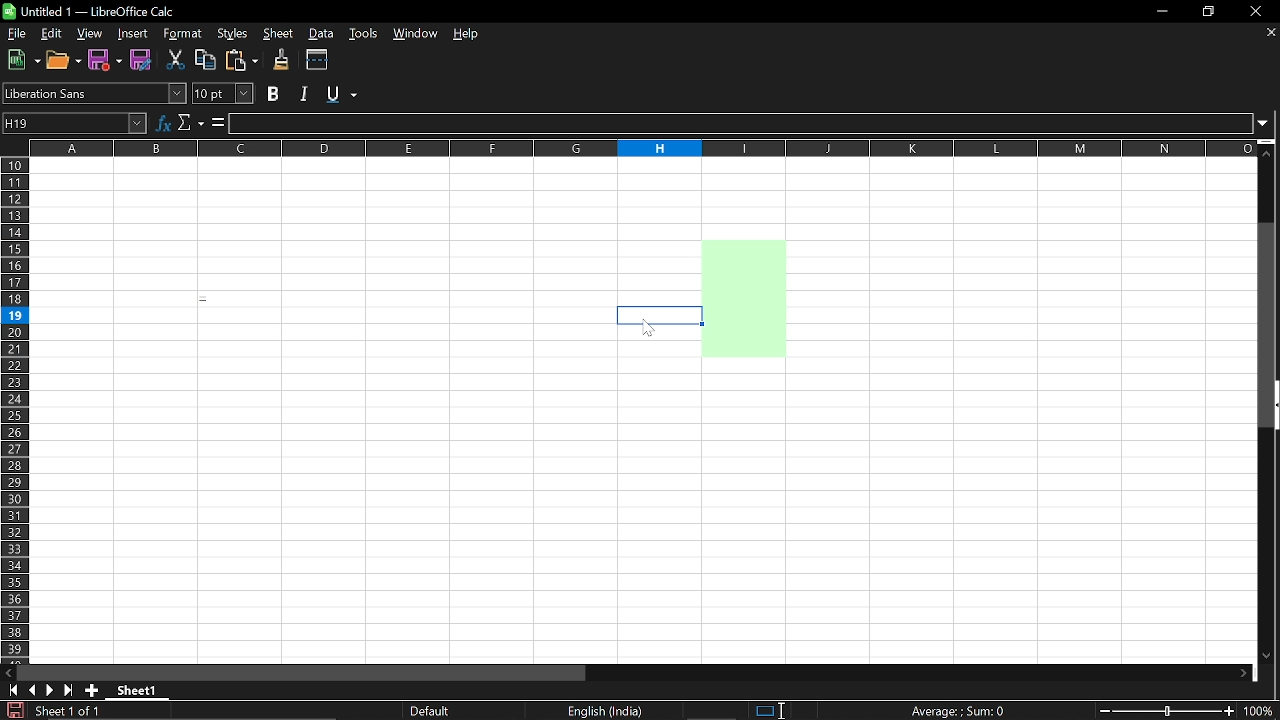 Image resolution: width=1280 pixels, height=720 pixels. Describe the element at coordinates (34, 690) in the screenshot. I see `Previous page` at that location.